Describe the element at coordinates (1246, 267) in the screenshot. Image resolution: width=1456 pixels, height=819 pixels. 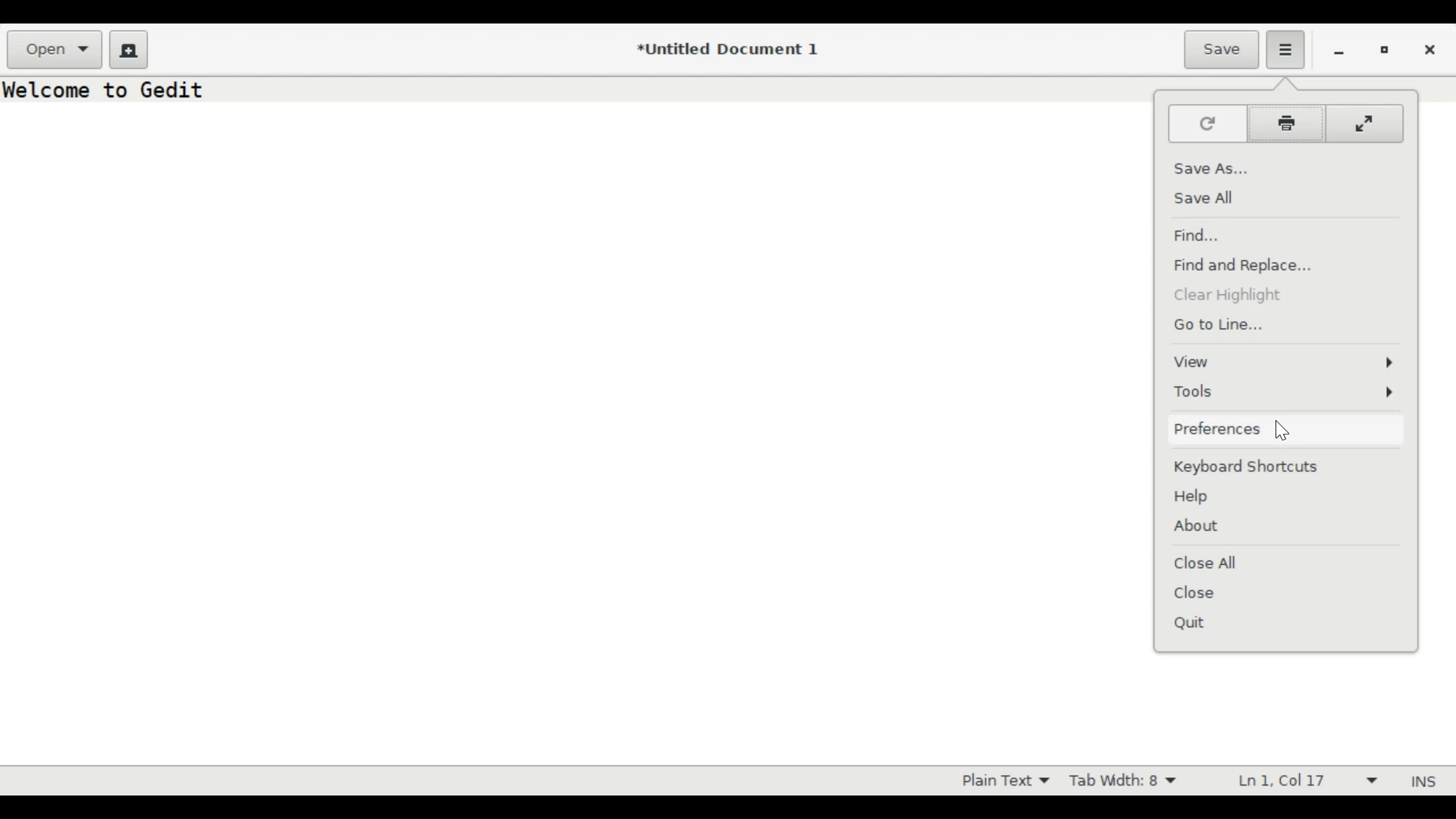
I see `Find and Replace` at that location.